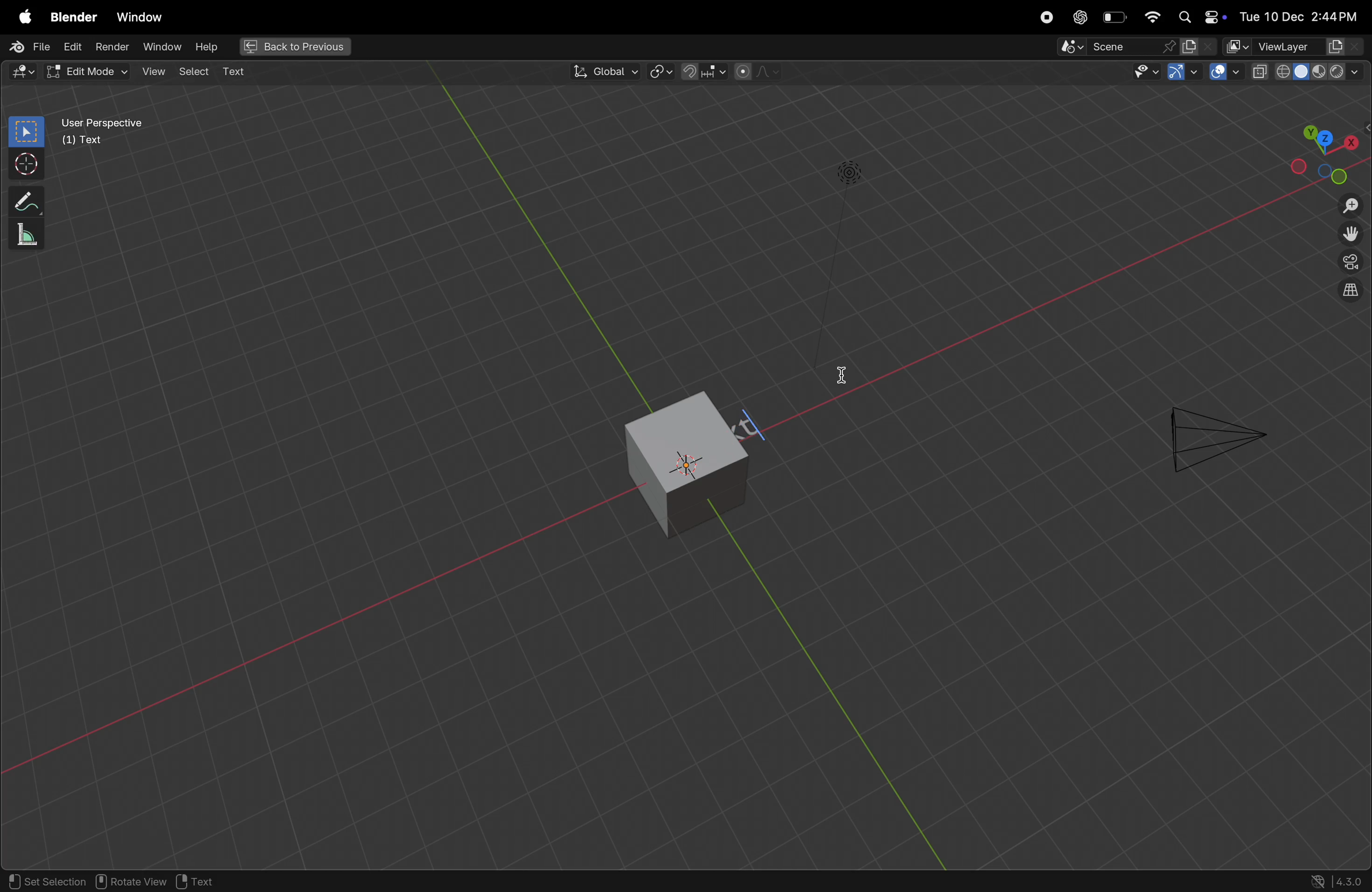  I want to click on version, so click(1337, 880).